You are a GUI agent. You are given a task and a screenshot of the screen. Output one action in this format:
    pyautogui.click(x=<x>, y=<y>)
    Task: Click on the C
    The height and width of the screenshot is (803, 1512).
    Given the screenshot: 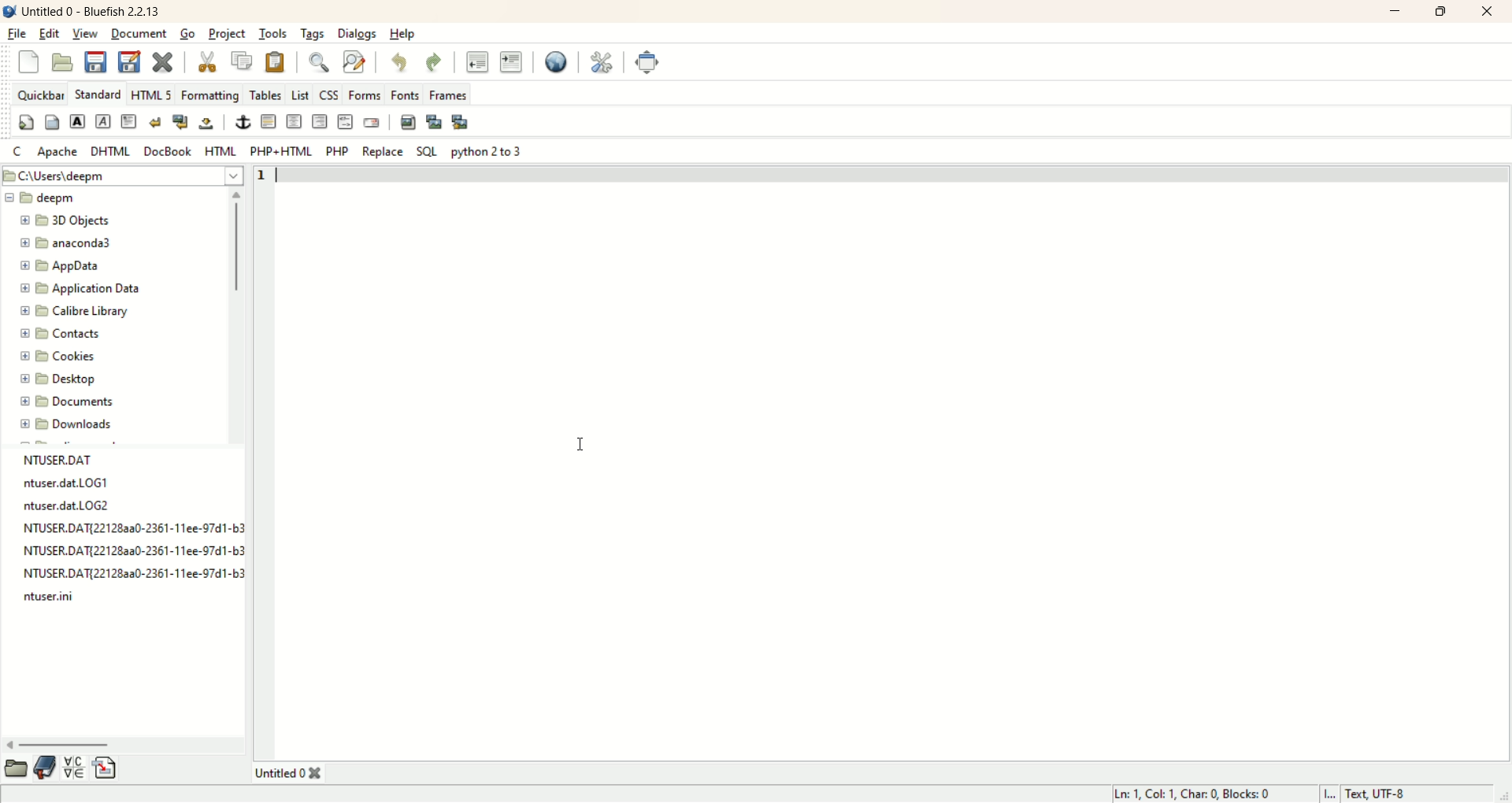 What is the action you would take?
    pyautogui.click(x=19, y=152)
    